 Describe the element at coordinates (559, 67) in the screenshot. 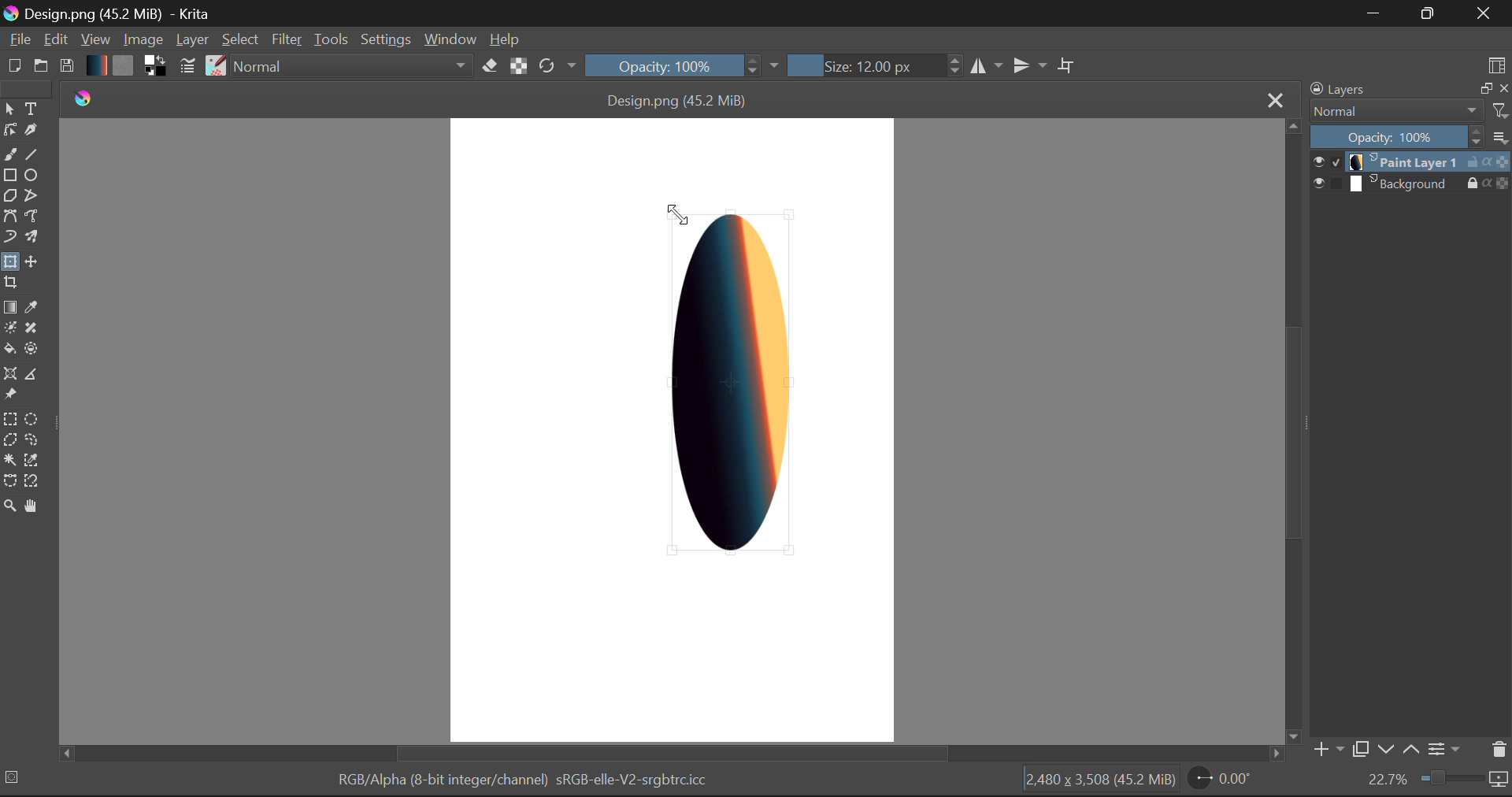

I see `Rotate` at that location.